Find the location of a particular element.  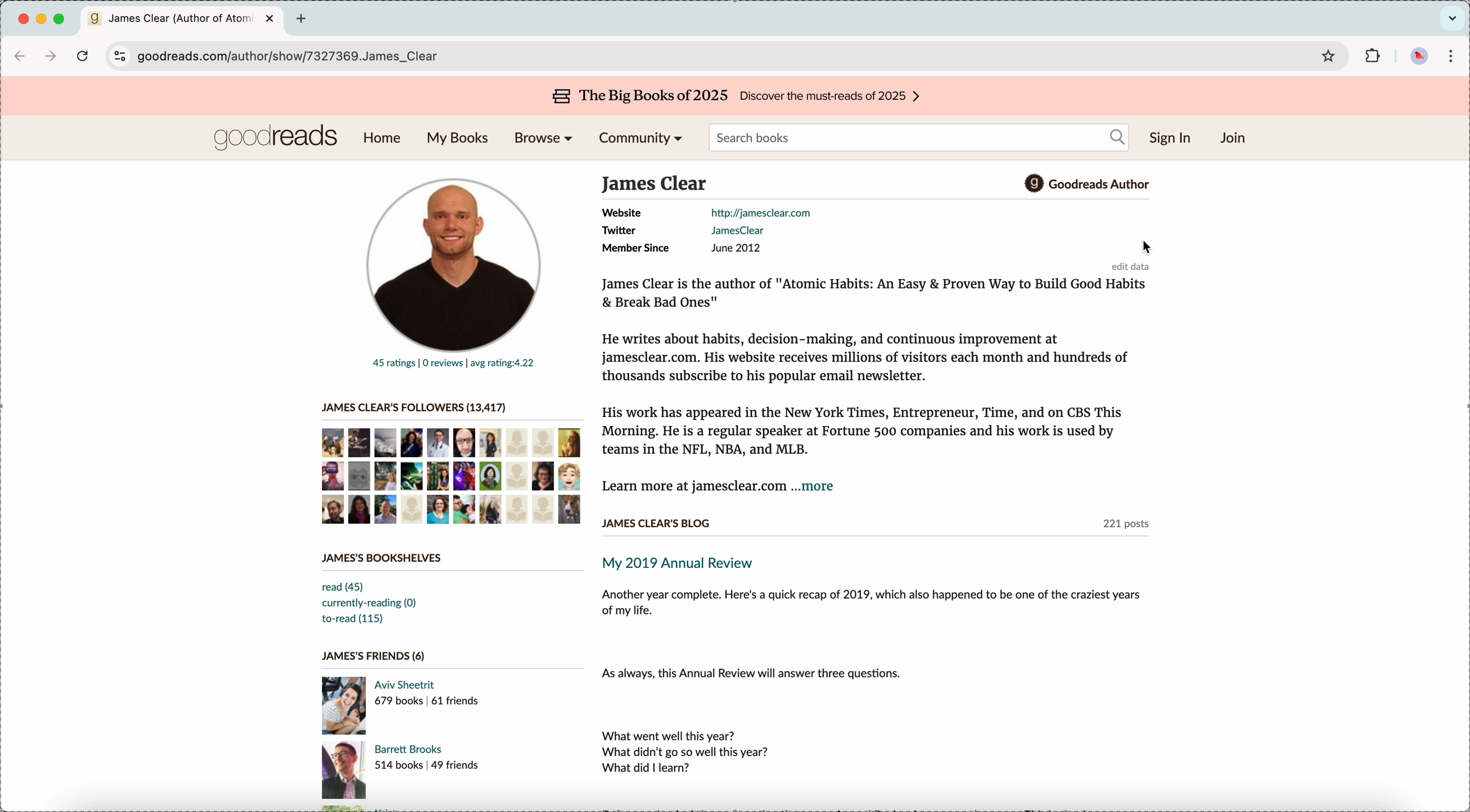

controls is located at coordinates (118, 56).